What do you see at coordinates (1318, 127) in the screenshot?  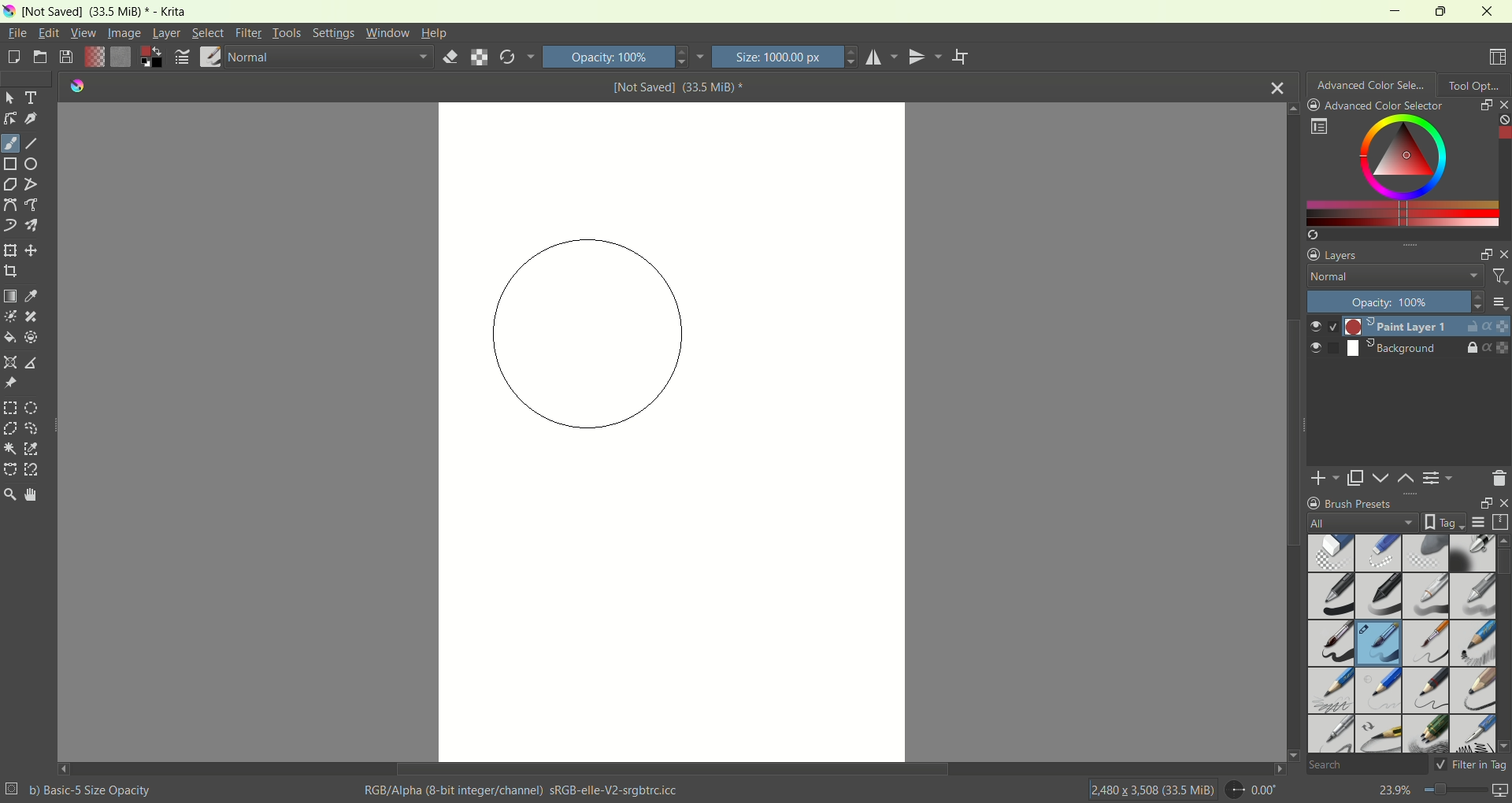 I see `options` at bounding box center [1318, 127].